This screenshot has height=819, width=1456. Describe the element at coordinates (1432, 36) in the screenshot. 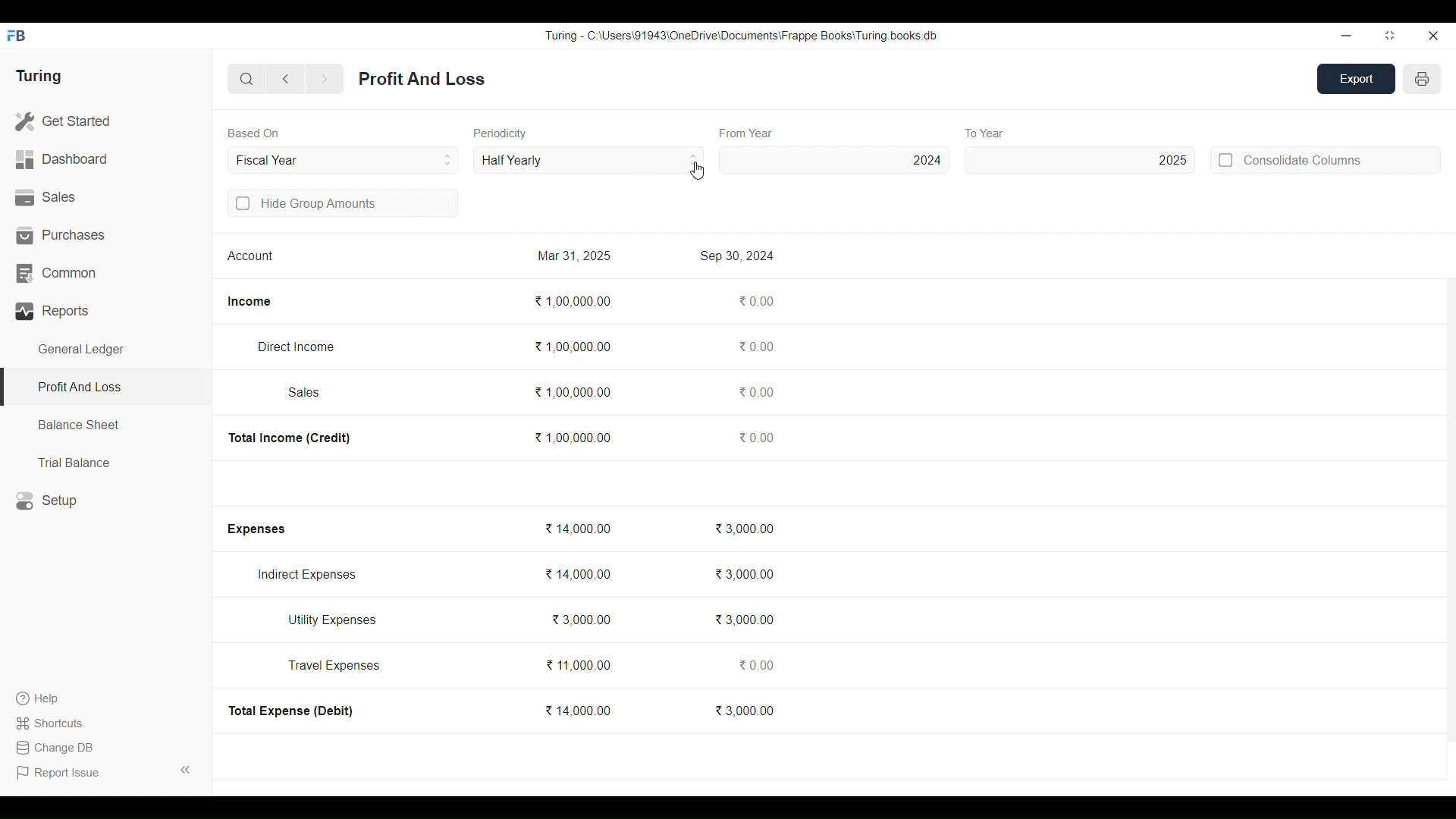

I see `Close` at that location.